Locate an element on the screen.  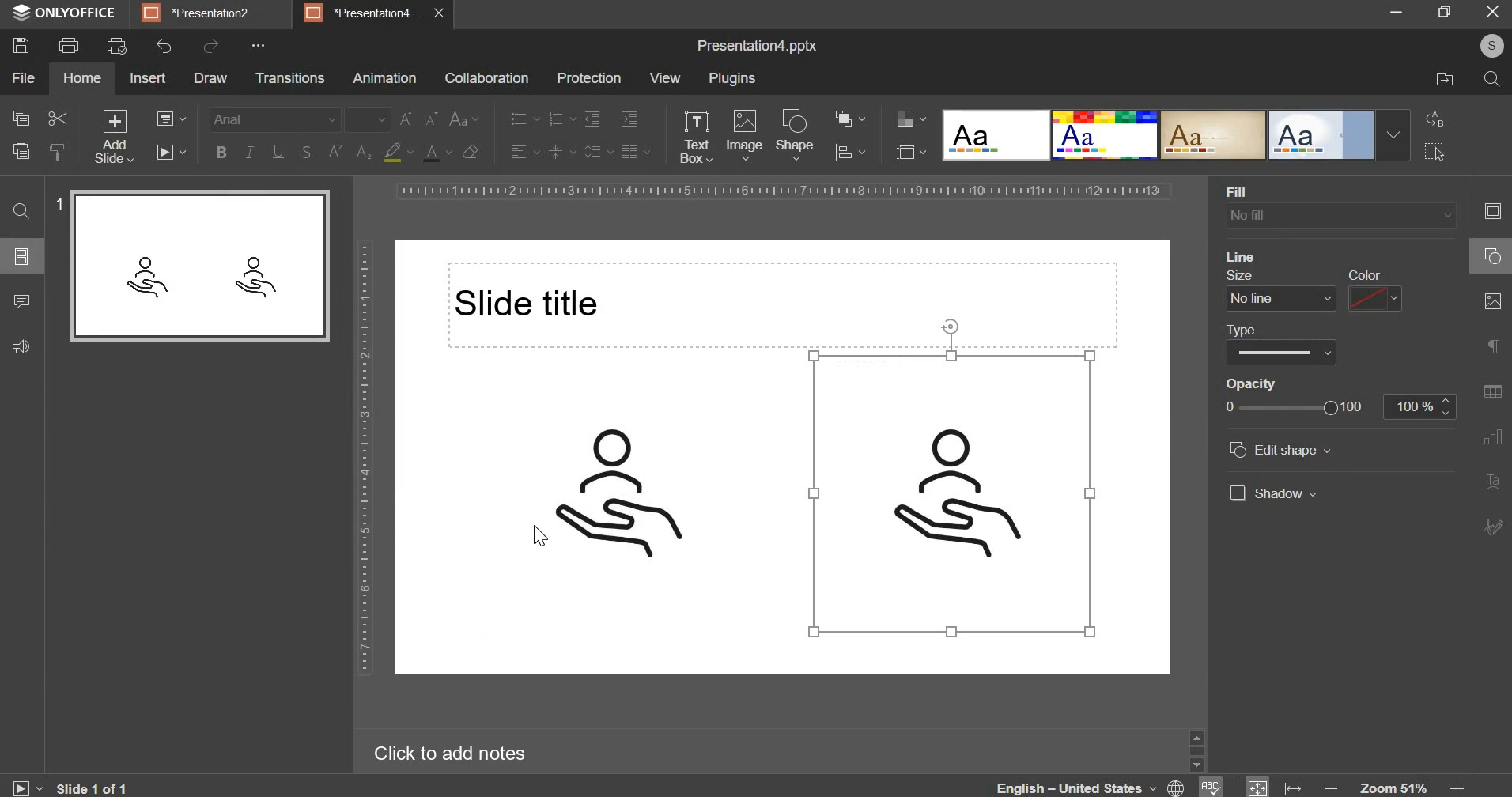
italics is located at coordinates (250, 149).